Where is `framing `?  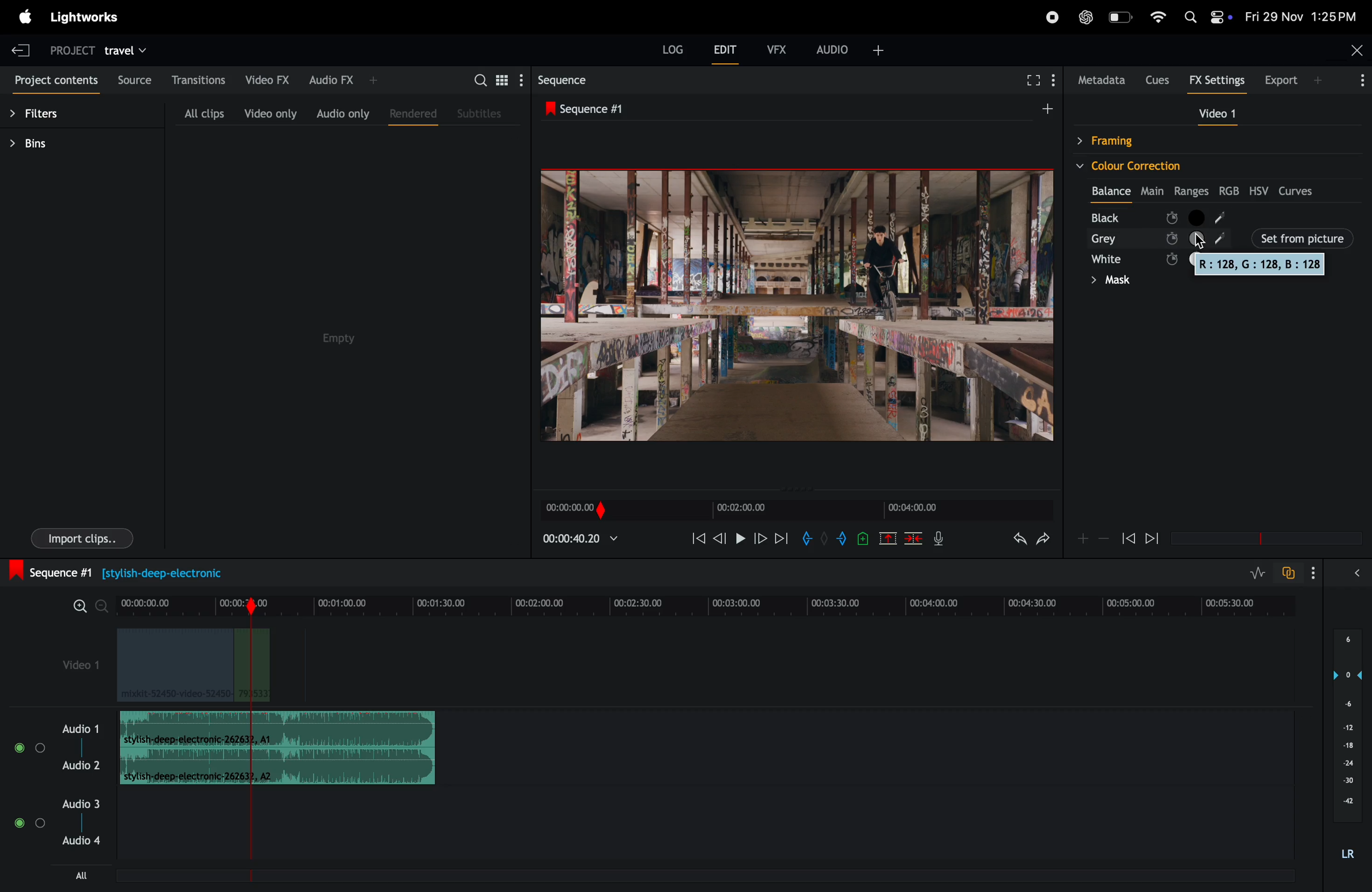
framing  is located at coordinates (1162, 141).